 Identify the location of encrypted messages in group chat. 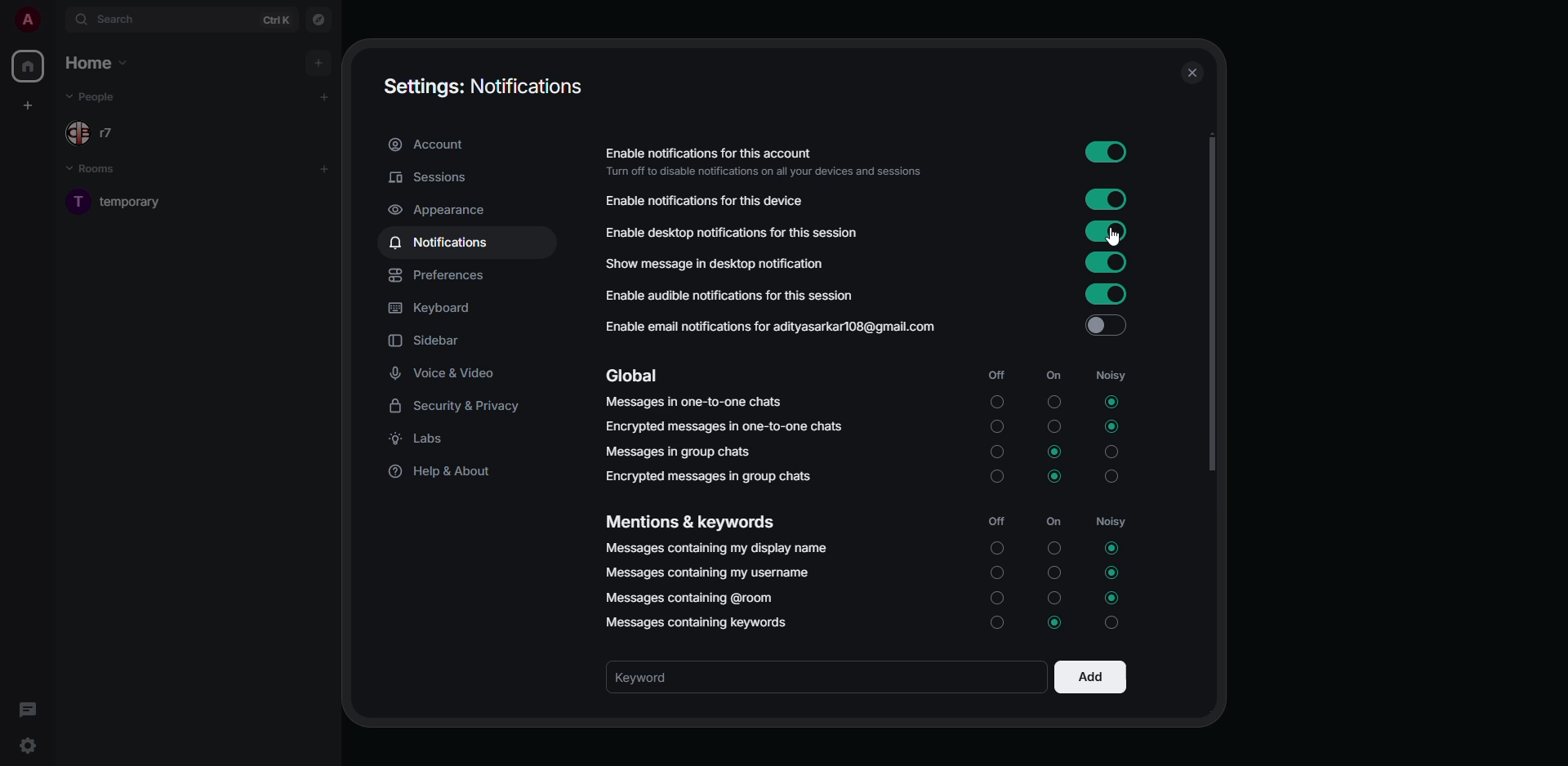
(712, 475).